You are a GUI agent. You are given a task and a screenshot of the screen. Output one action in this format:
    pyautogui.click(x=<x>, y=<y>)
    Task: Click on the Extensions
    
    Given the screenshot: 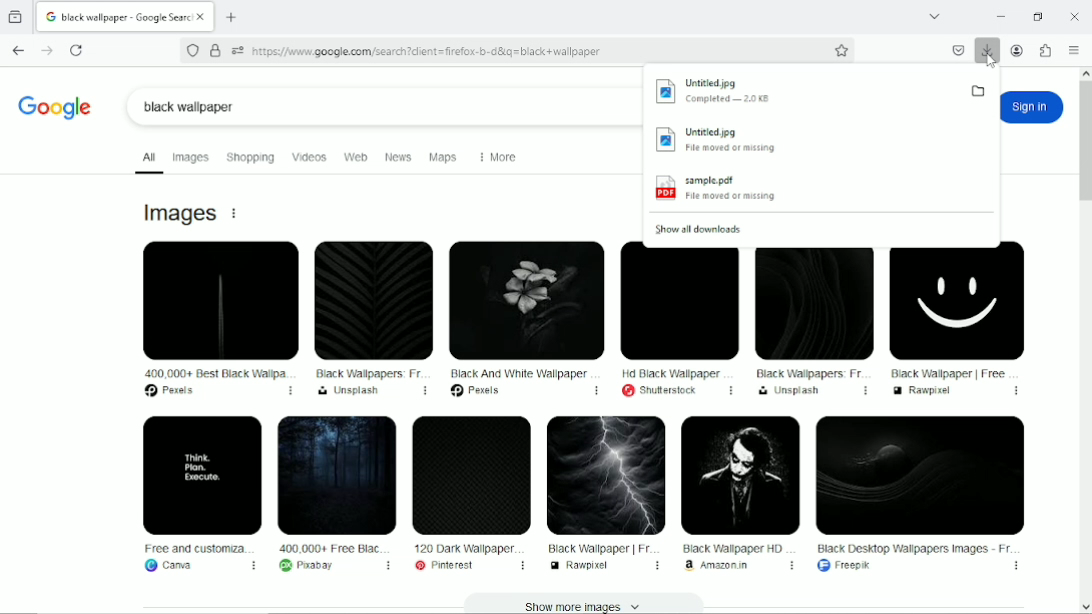 What is the action you would take?
    pyautogui.click(x=1045, y=50)
    